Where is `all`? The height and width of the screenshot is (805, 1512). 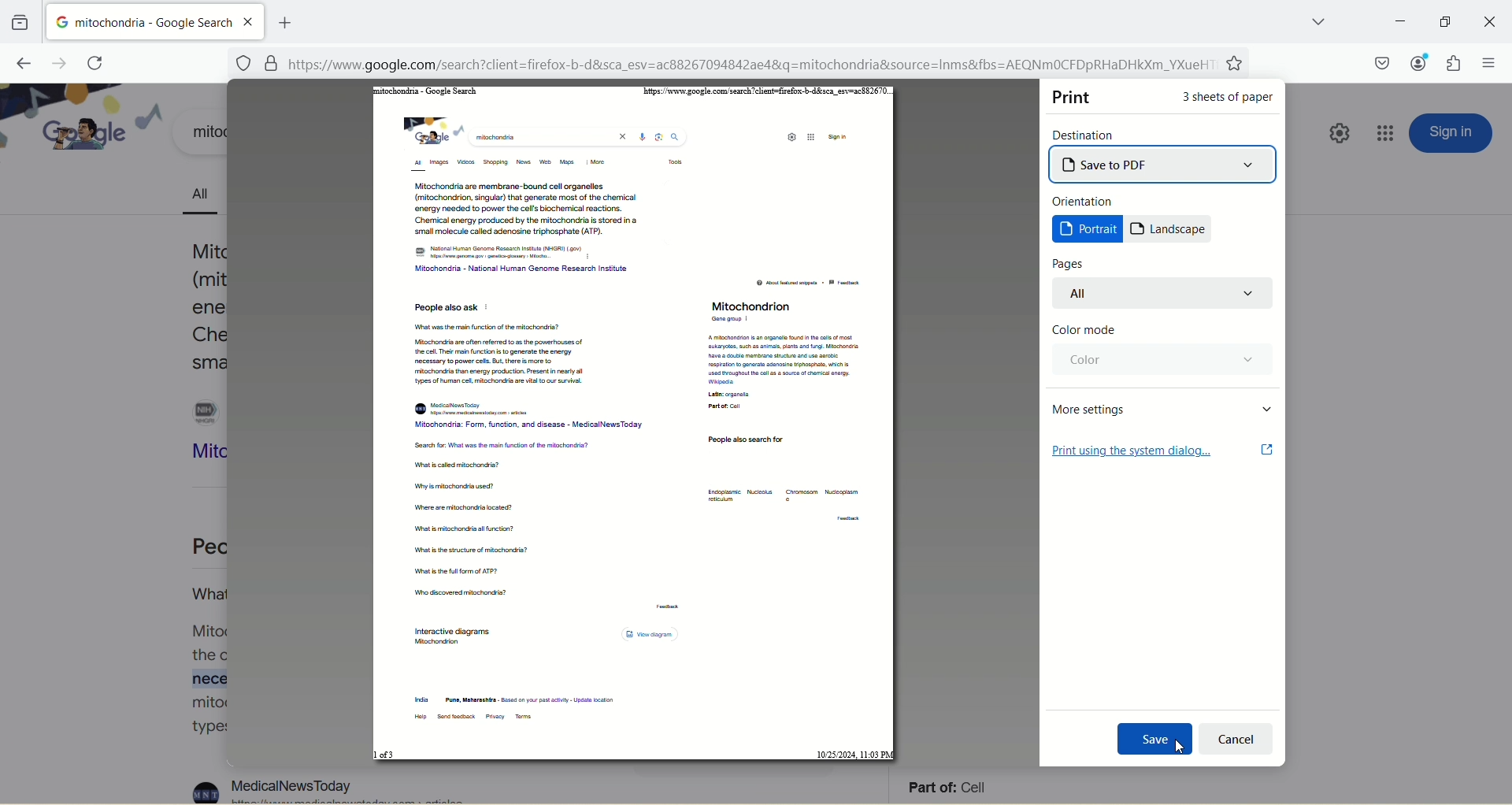
all is located at coordinates (1167, 294).